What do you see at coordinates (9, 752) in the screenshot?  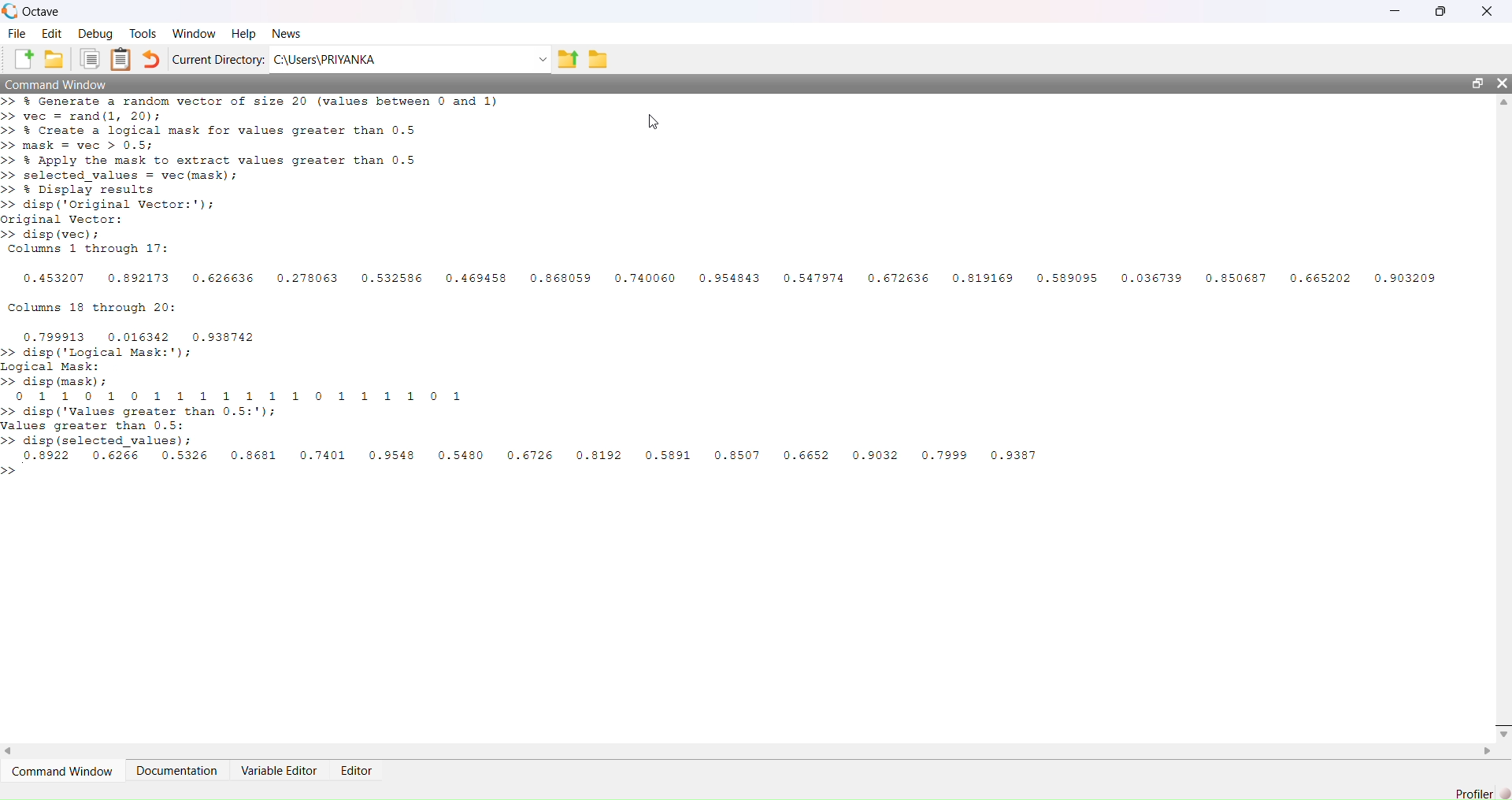 I see `Scroll right` at bounding box center [9, 752].